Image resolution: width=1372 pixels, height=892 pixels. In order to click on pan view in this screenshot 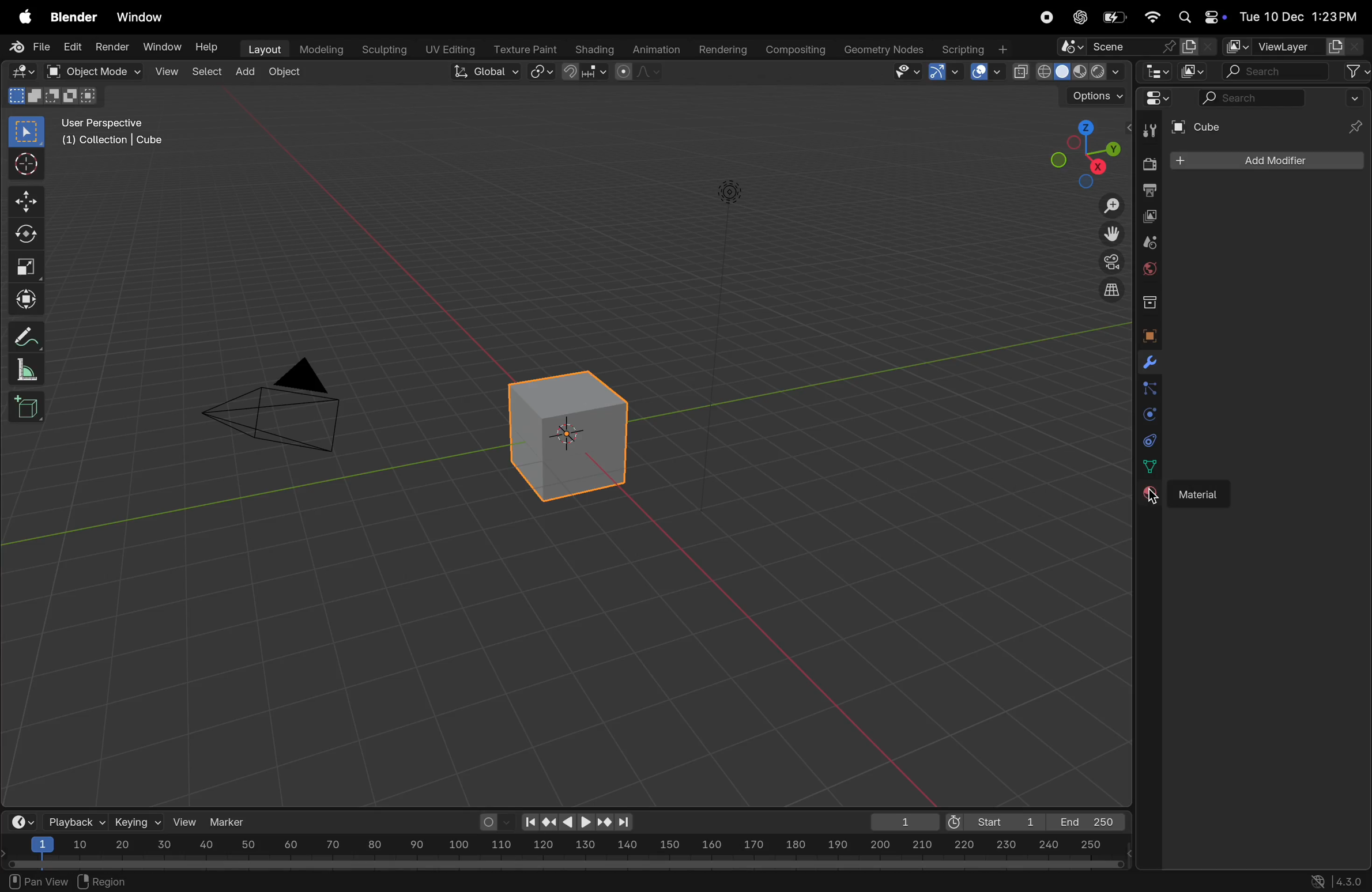, I will do `click(37, 880)`.